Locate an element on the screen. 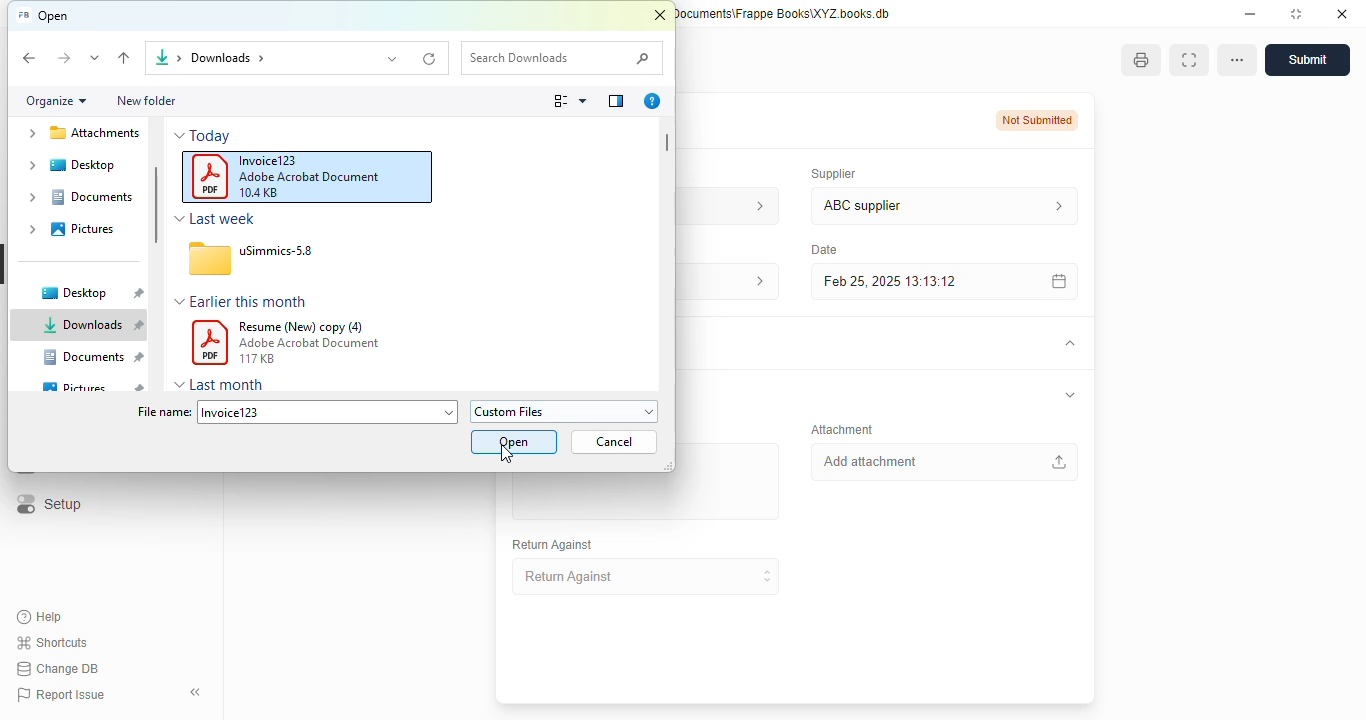 This screenshot has height=720, width=1366. get help is located at coordinates (652, 101).